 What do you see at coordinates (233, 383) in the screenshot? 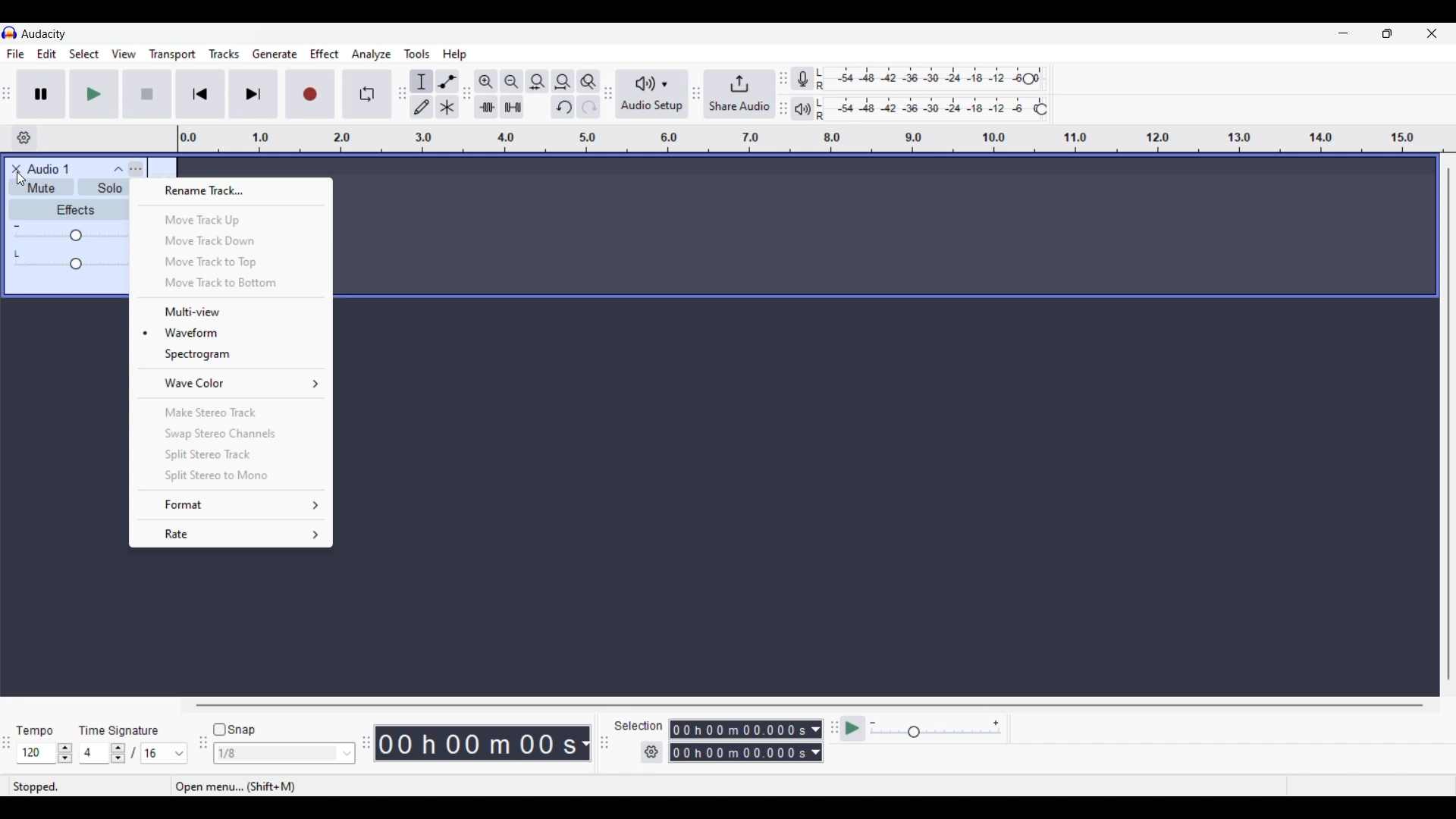
I see `Wave color options` at bounding box center [233, 383].